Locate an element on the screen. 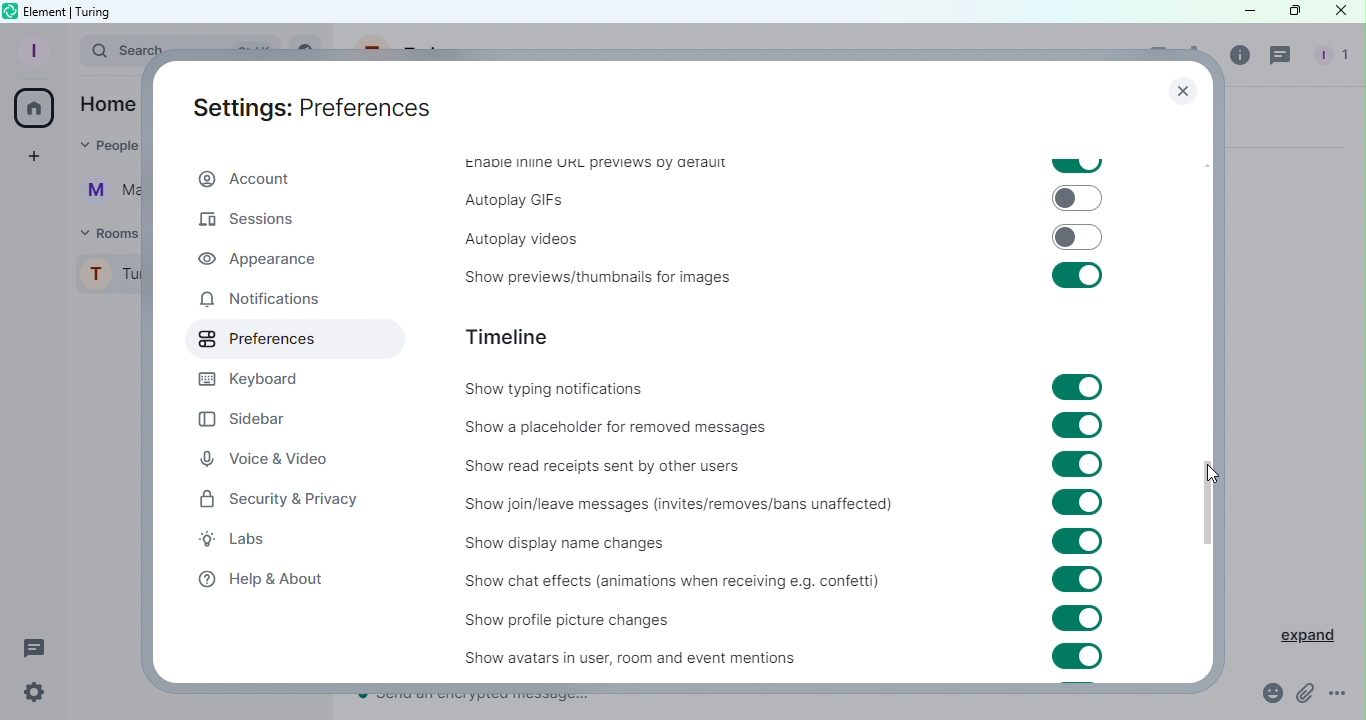 This screenshot has width=1366, height=720. Toggle is located at coordinates (1077, 617).